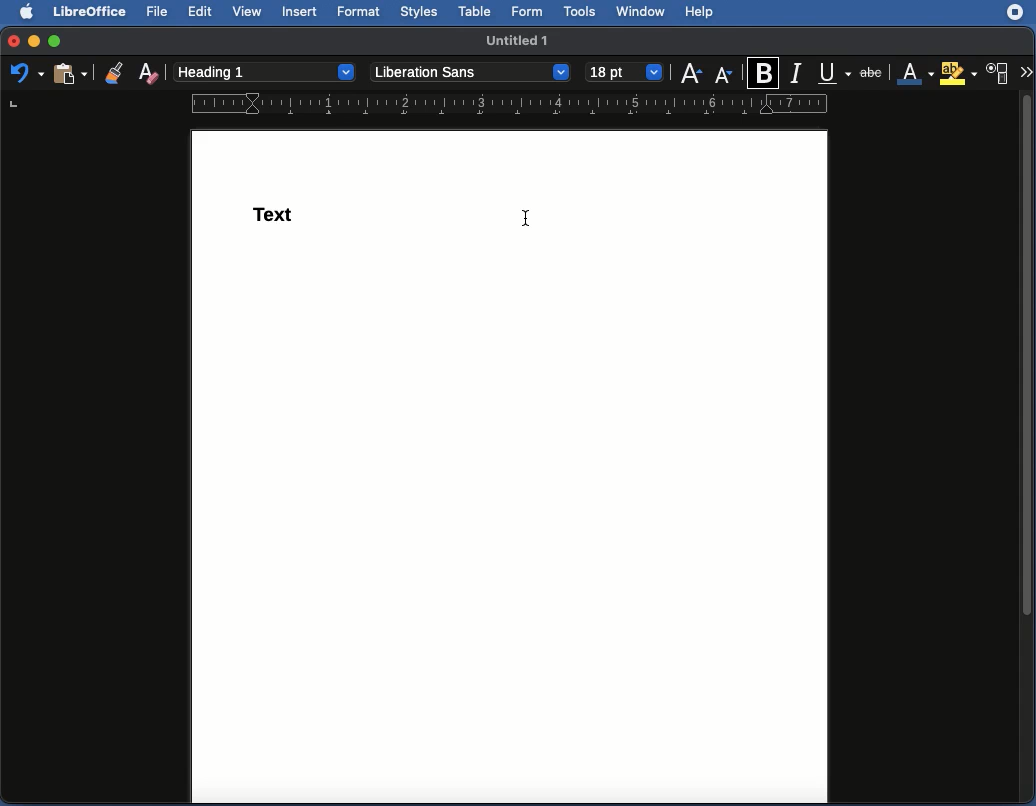 Image resolution: width=1036 pixels, height=806 pixels. What do you see at coordinates (153, 72) in the screenshot?
I see `Clear formatting` at bounding box center [153, 72].